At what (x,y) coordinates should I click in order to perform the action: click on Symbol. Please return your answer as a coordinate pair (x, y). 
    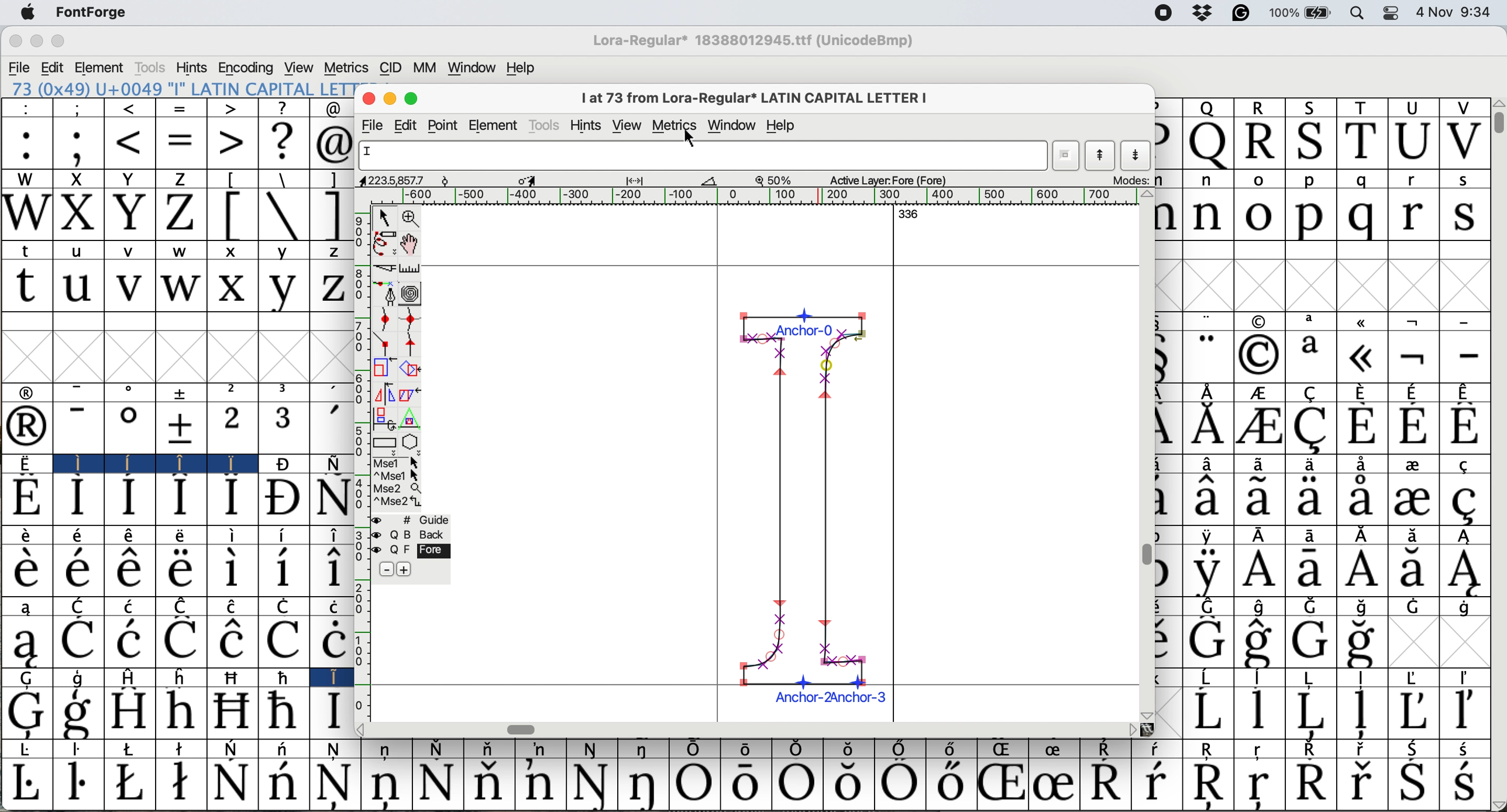
    Looking at the image, I should click on (387, 784).